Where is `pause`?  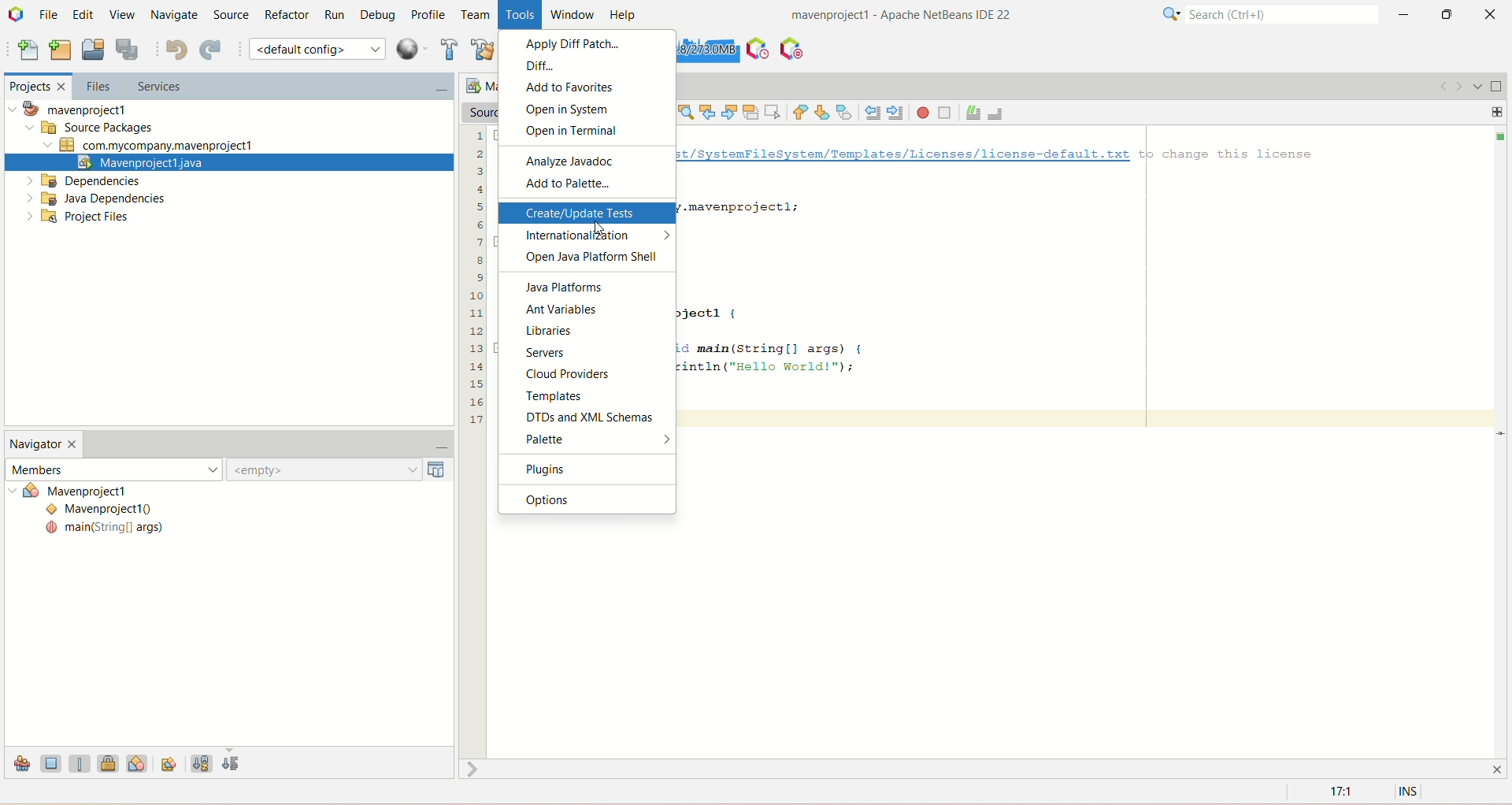 pause is located at coordinates (791, 45).